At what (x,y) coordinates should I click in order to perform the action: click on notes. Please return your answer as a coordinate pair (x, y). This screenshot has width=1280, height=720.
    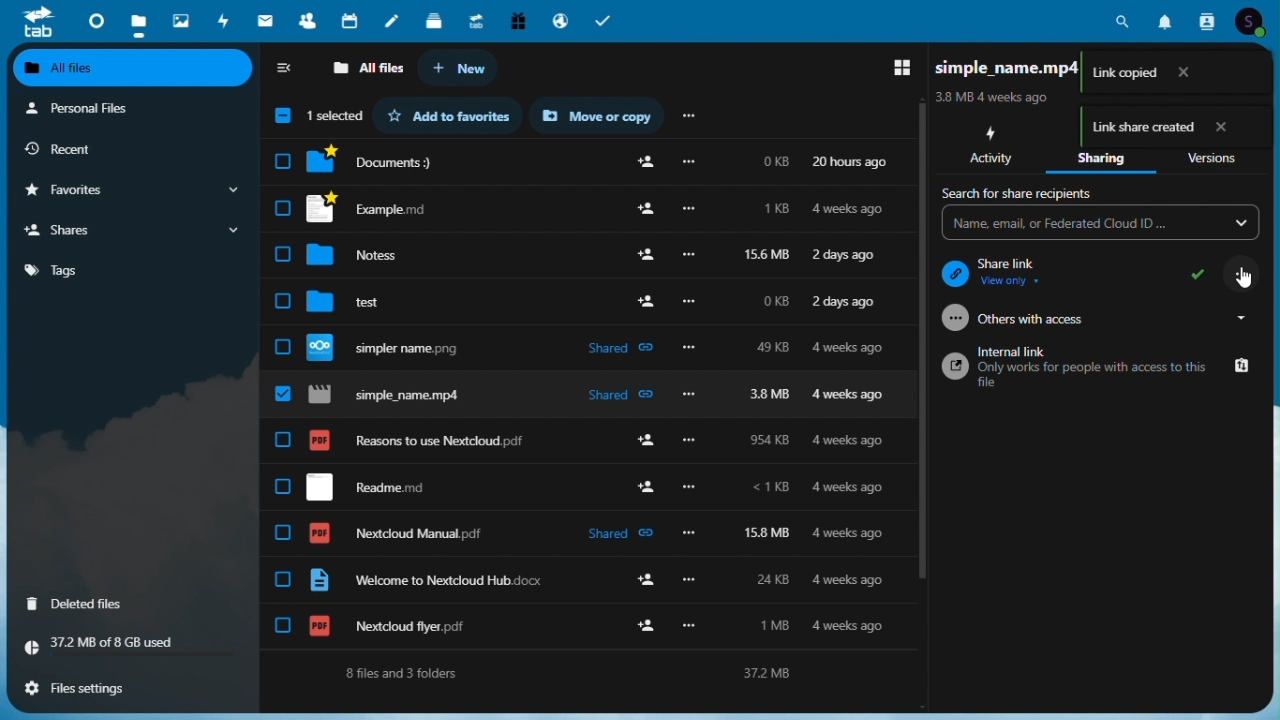
    Looking at the image, I should click on (393, 22).